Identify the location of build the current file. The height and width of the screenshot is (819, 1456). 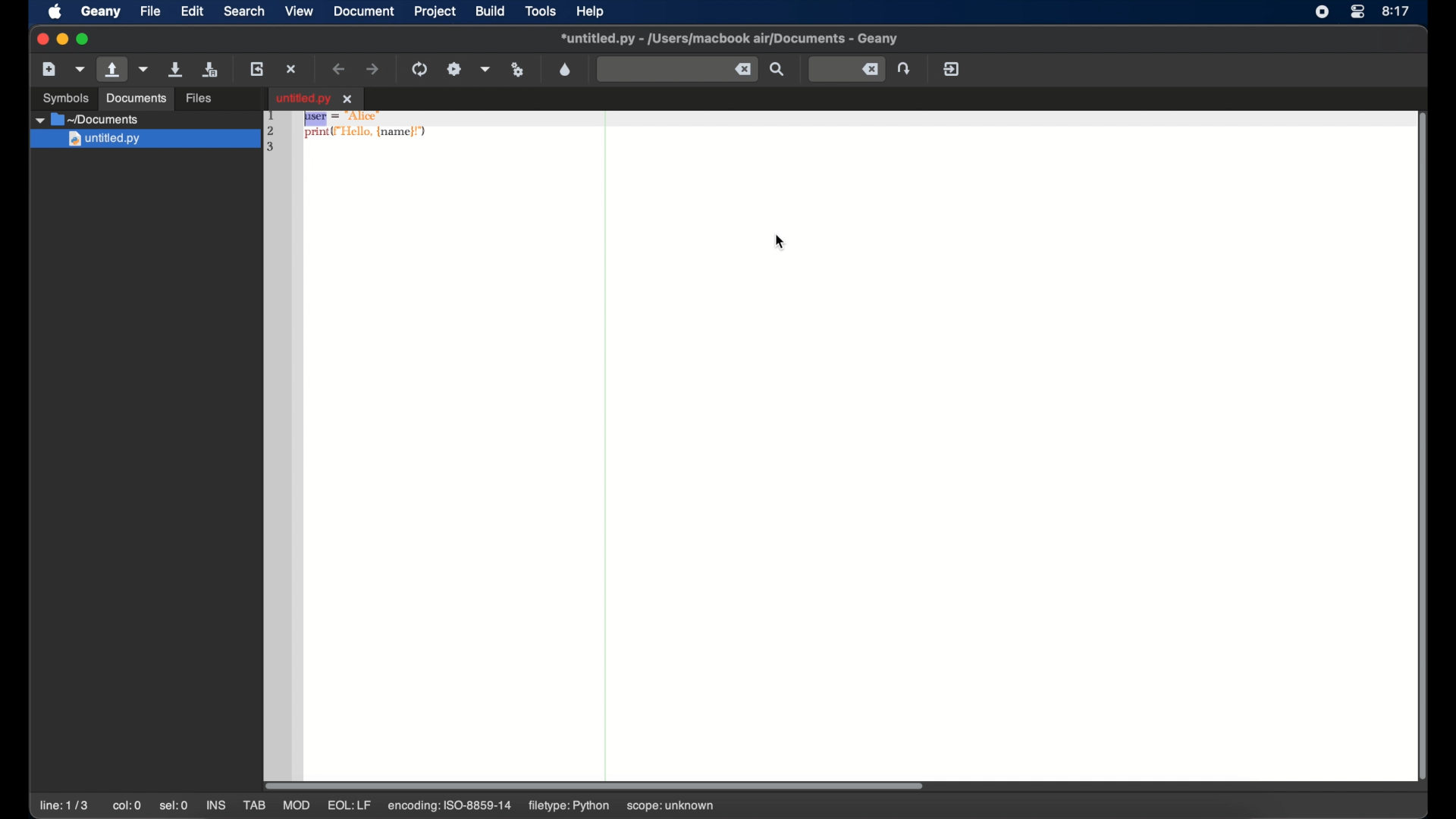
(454, 69).